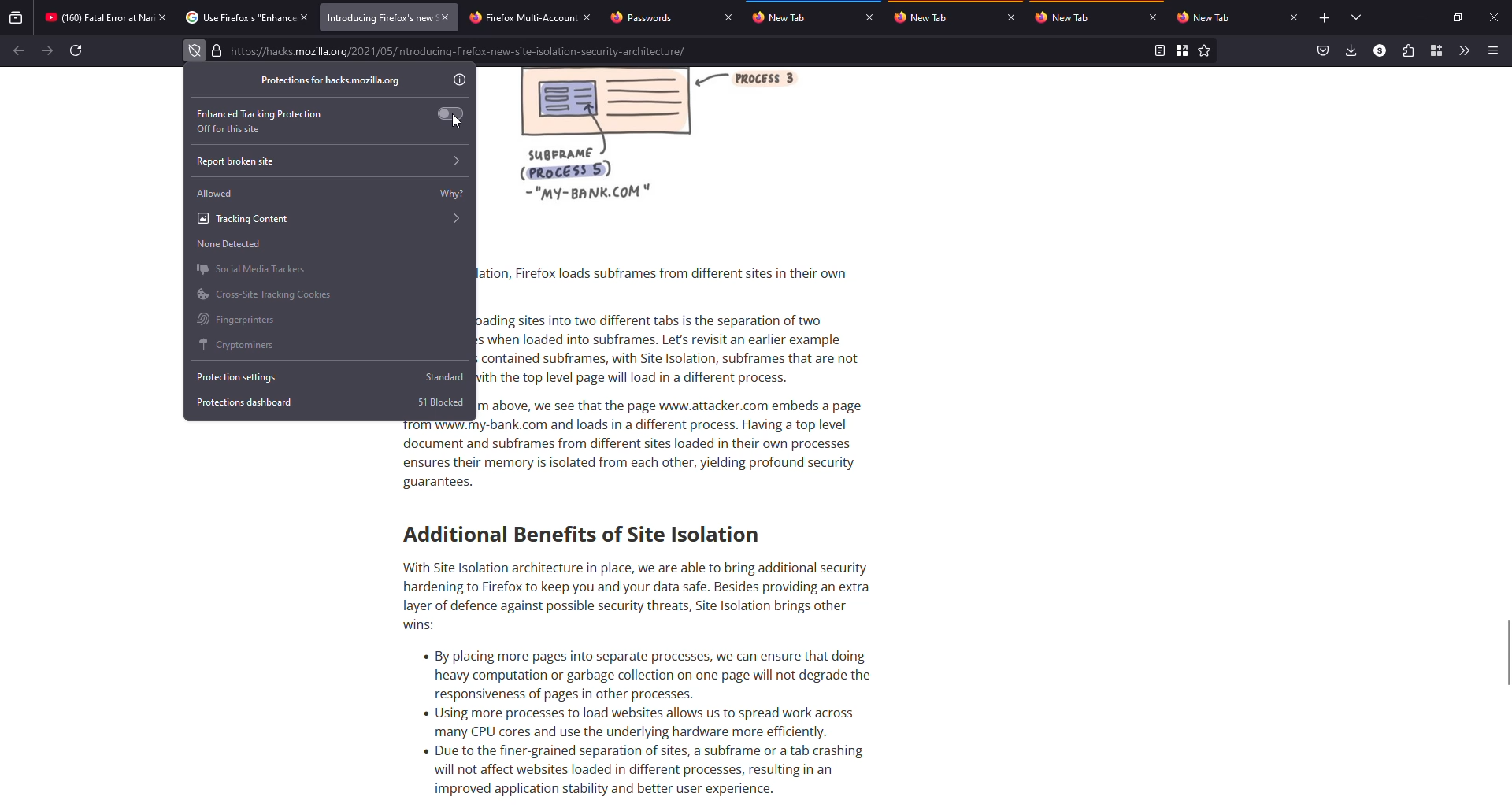  What do you see at coordinates (646, 17) in the screenshot?
I see `tab` at bounding box center [646, 17].